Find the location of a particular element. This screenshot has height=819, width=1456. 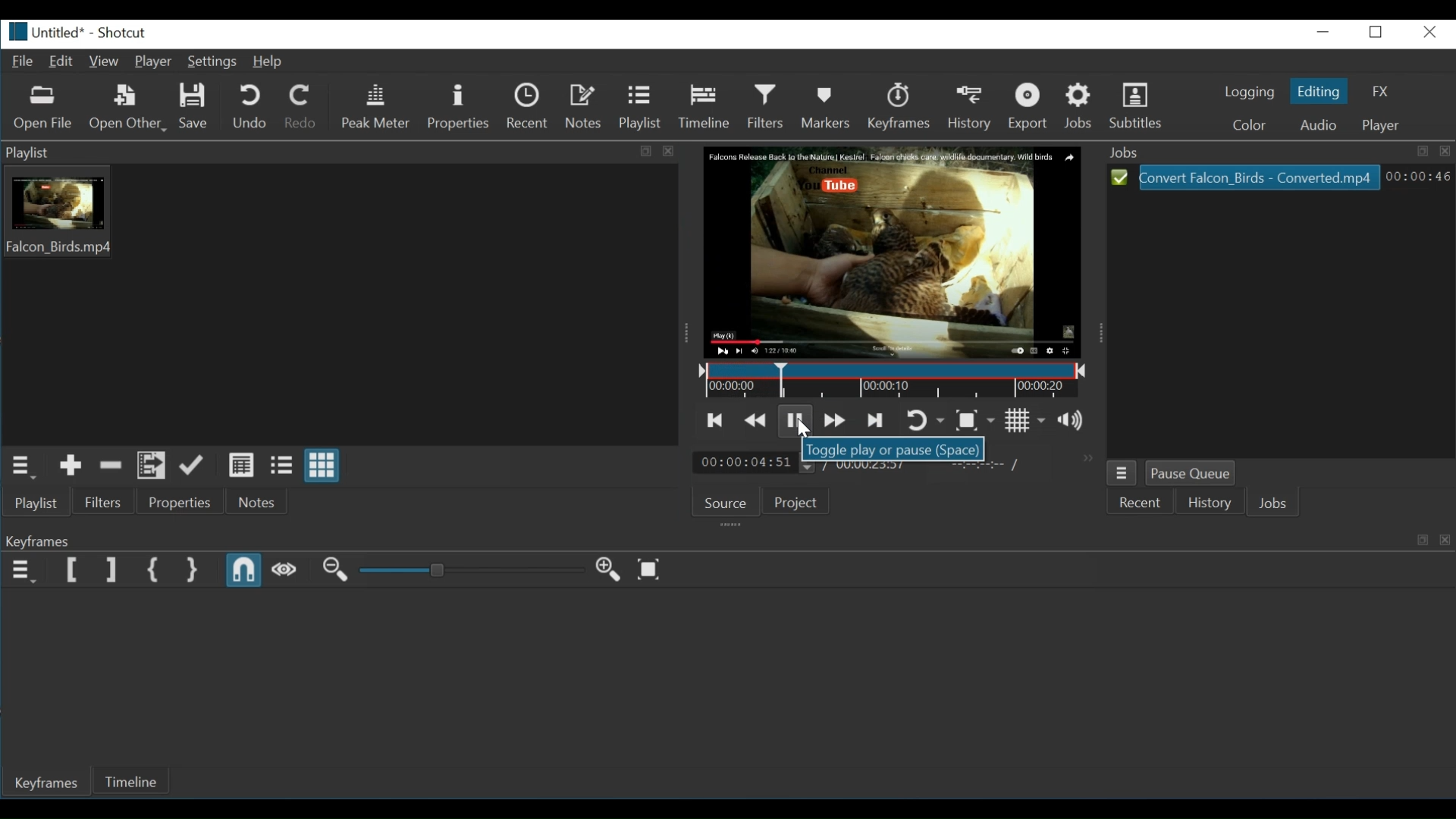

Keyframes is located at coordinates (49, 782).